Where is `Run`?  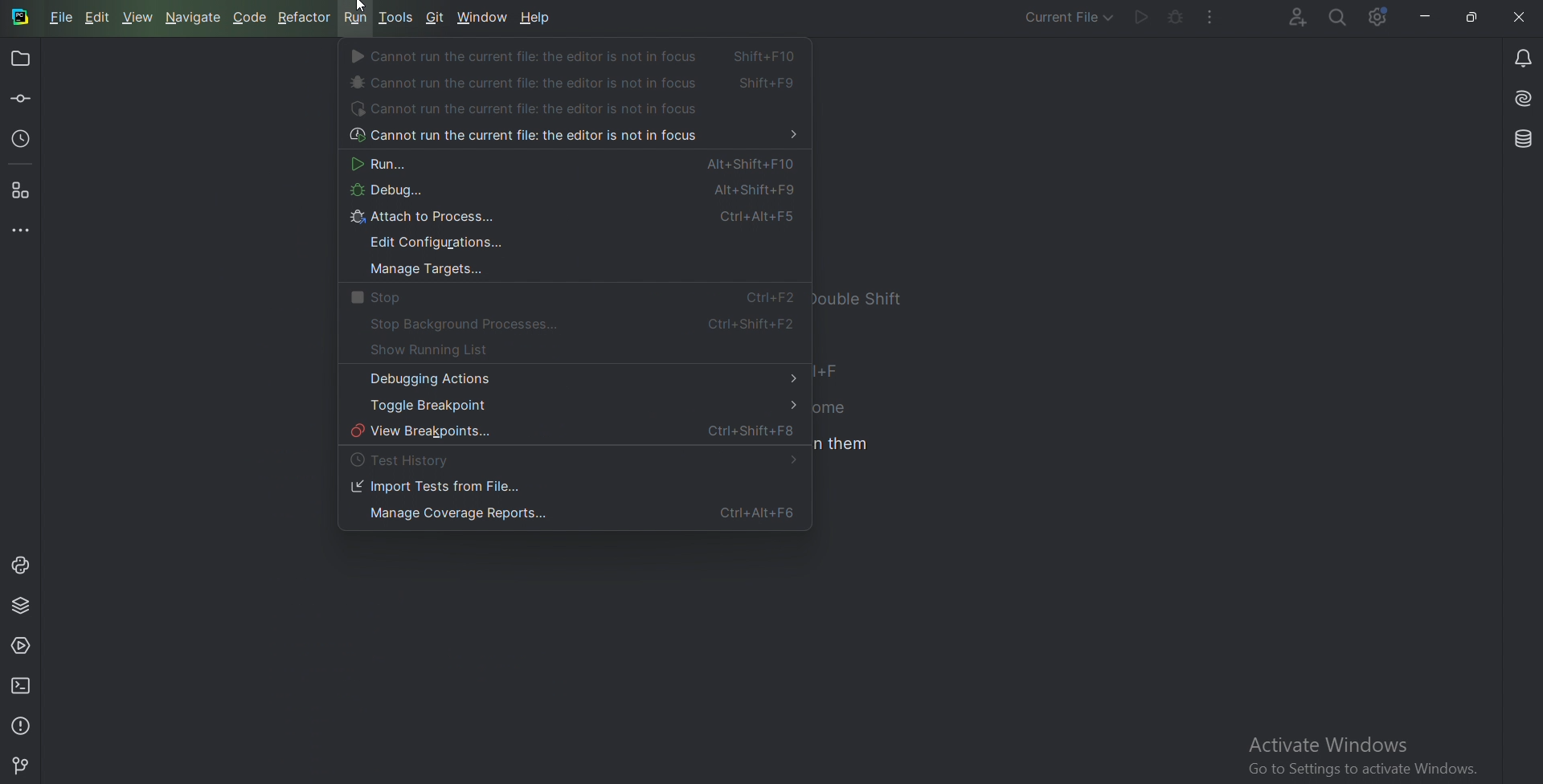 Run is located at coordinates (1140, 18).